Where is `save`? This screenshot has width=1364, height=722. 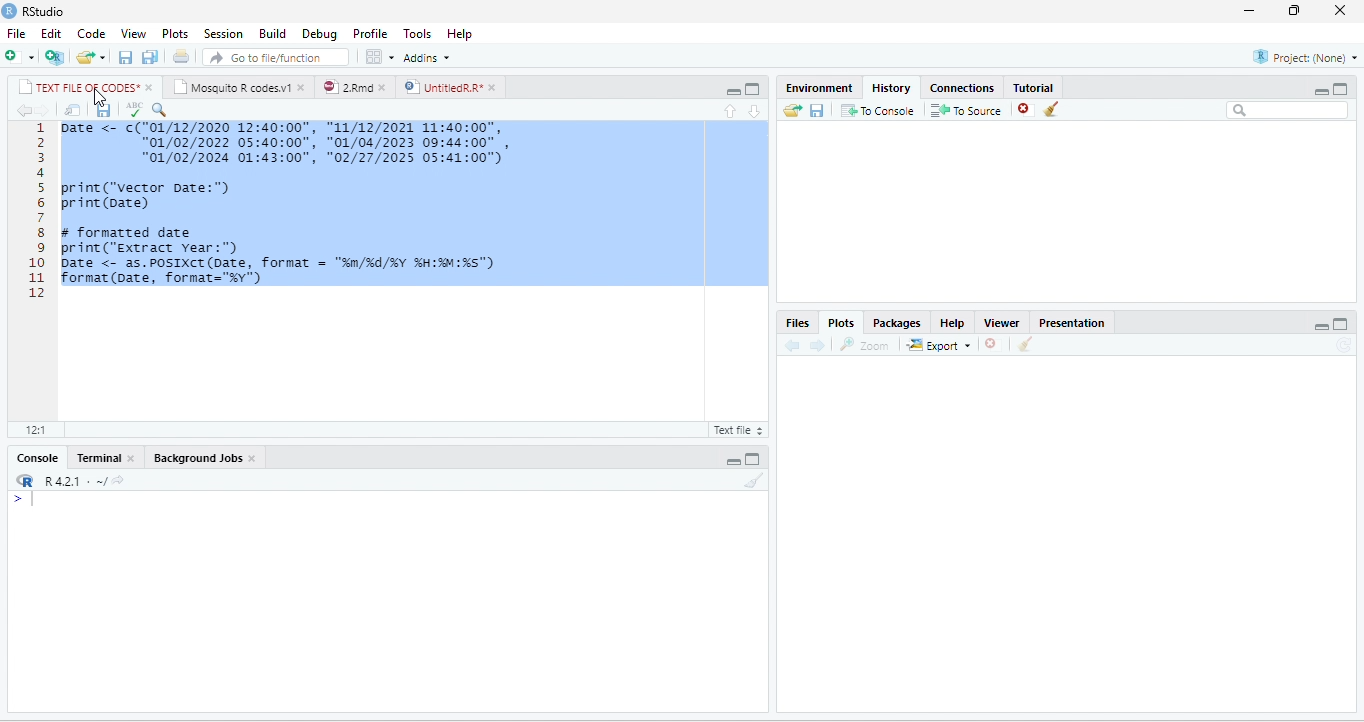 save is located at coordinates (126, 57).